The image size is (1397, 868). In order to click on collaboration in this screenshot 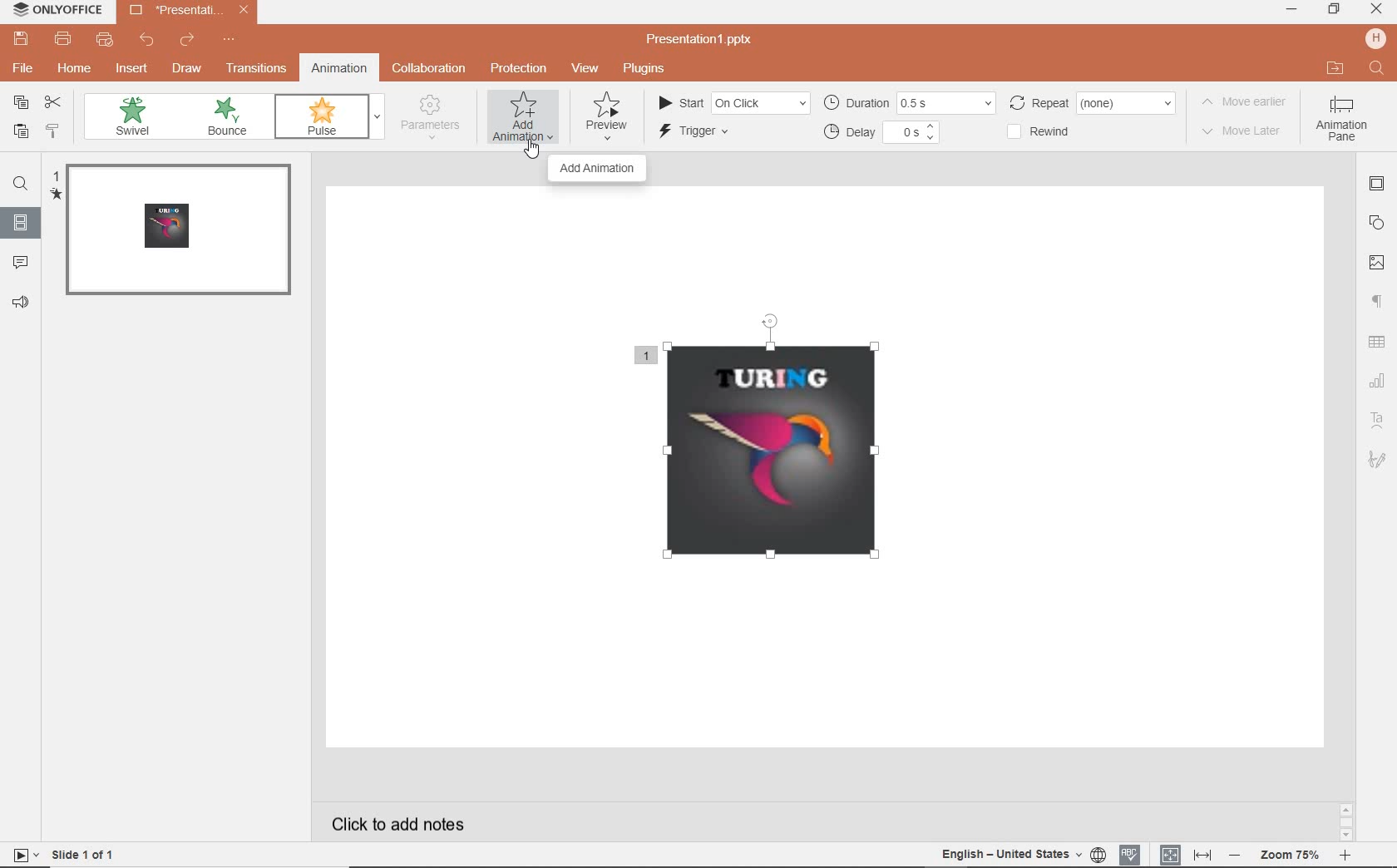, I will do `click(430, 70)`.